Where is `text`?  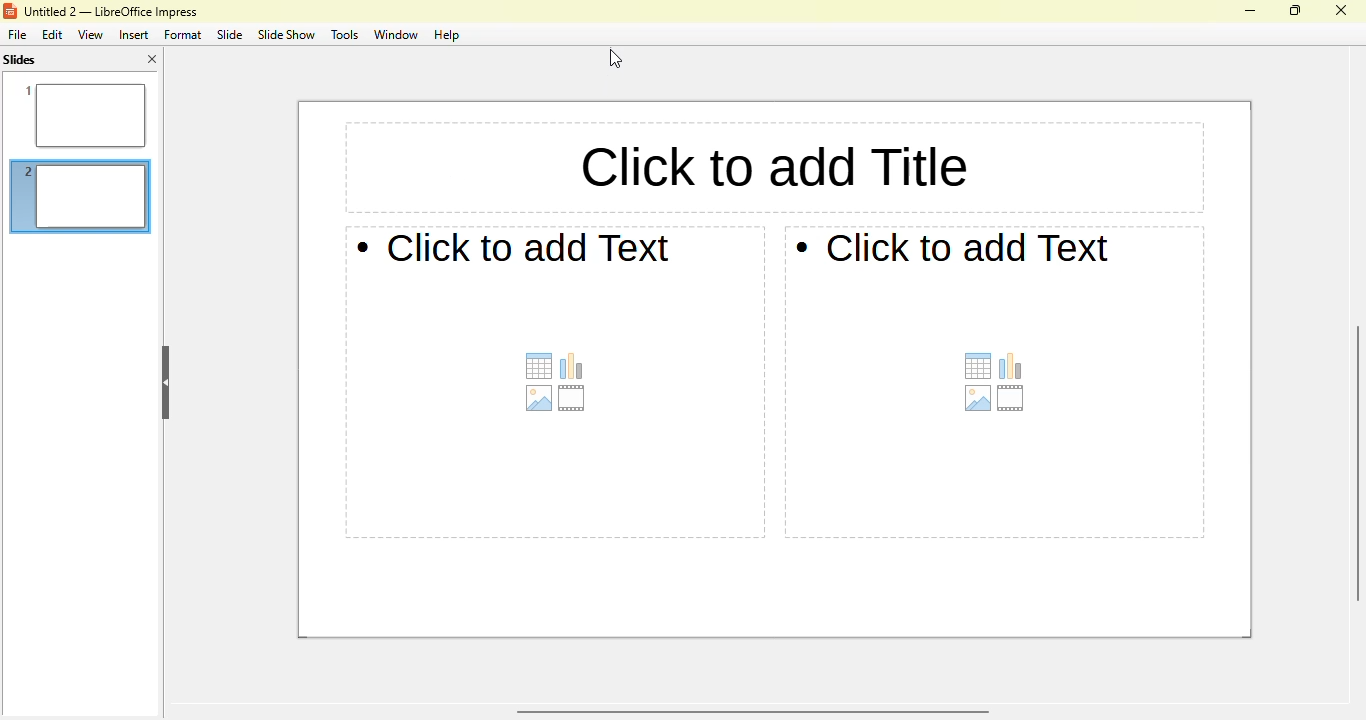
text is located at coordinates (951, 247).